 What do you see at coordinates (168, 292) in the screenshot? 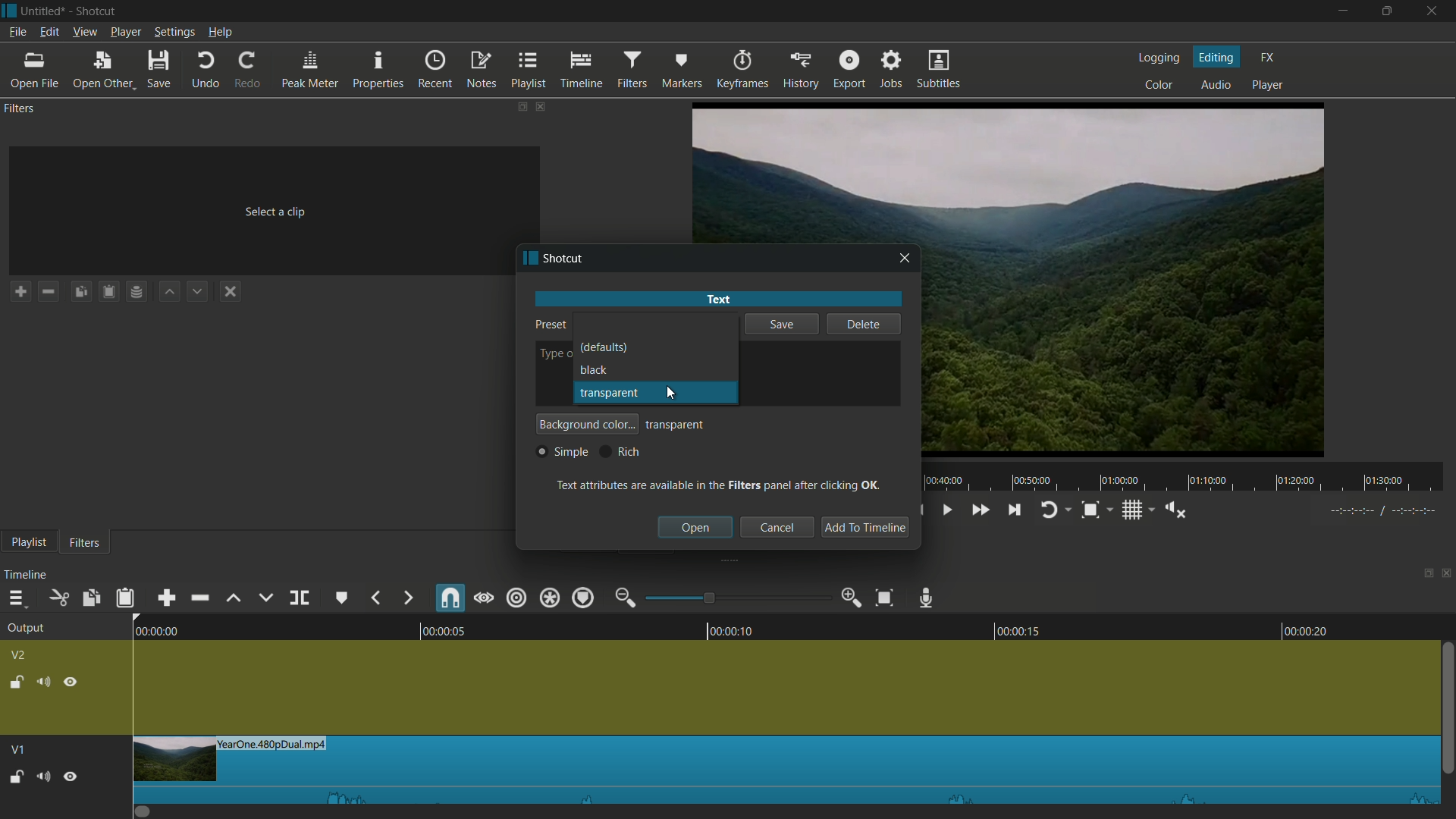
I see `up` at bounding box center [168, 292].